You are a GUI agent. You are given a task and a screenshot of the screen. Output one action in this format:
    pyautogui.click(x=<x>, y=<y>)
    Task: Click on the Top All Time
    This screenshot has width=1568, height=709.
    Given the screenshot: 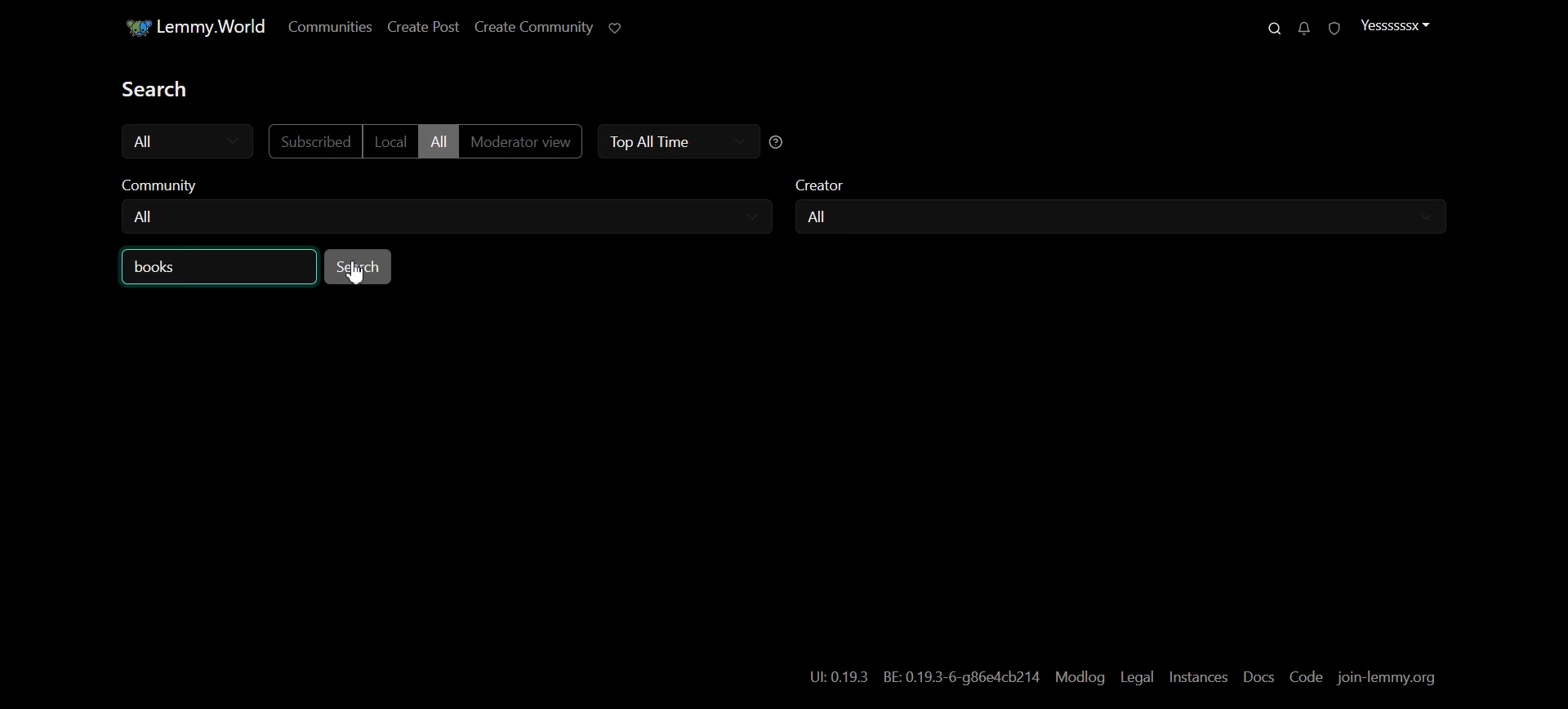 What is the action you would take?
    pyautogui.click(x=678, y=141)
    